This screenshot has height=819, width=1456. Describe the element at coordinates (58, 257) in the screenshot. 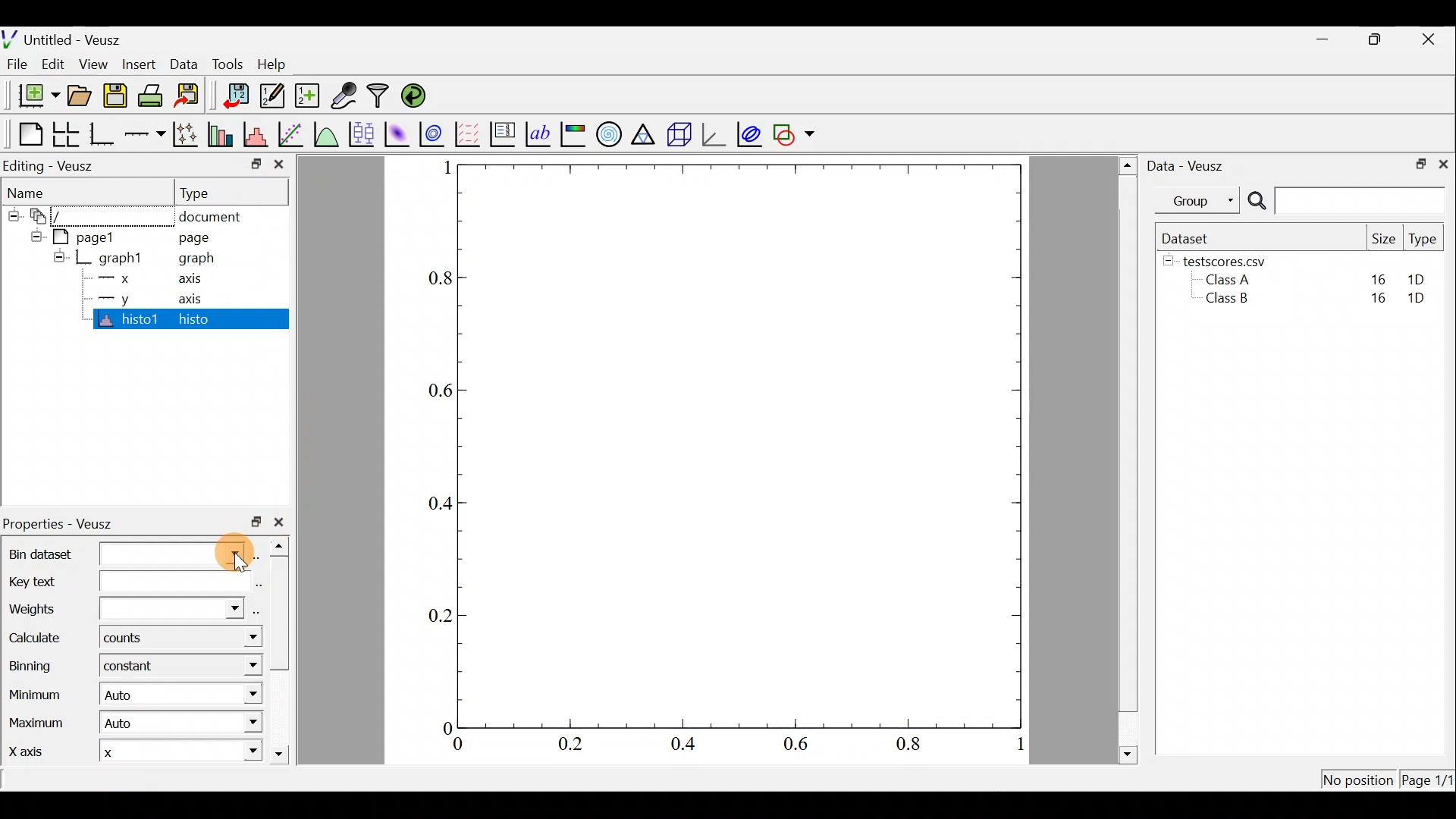

I see `hide` at that location.